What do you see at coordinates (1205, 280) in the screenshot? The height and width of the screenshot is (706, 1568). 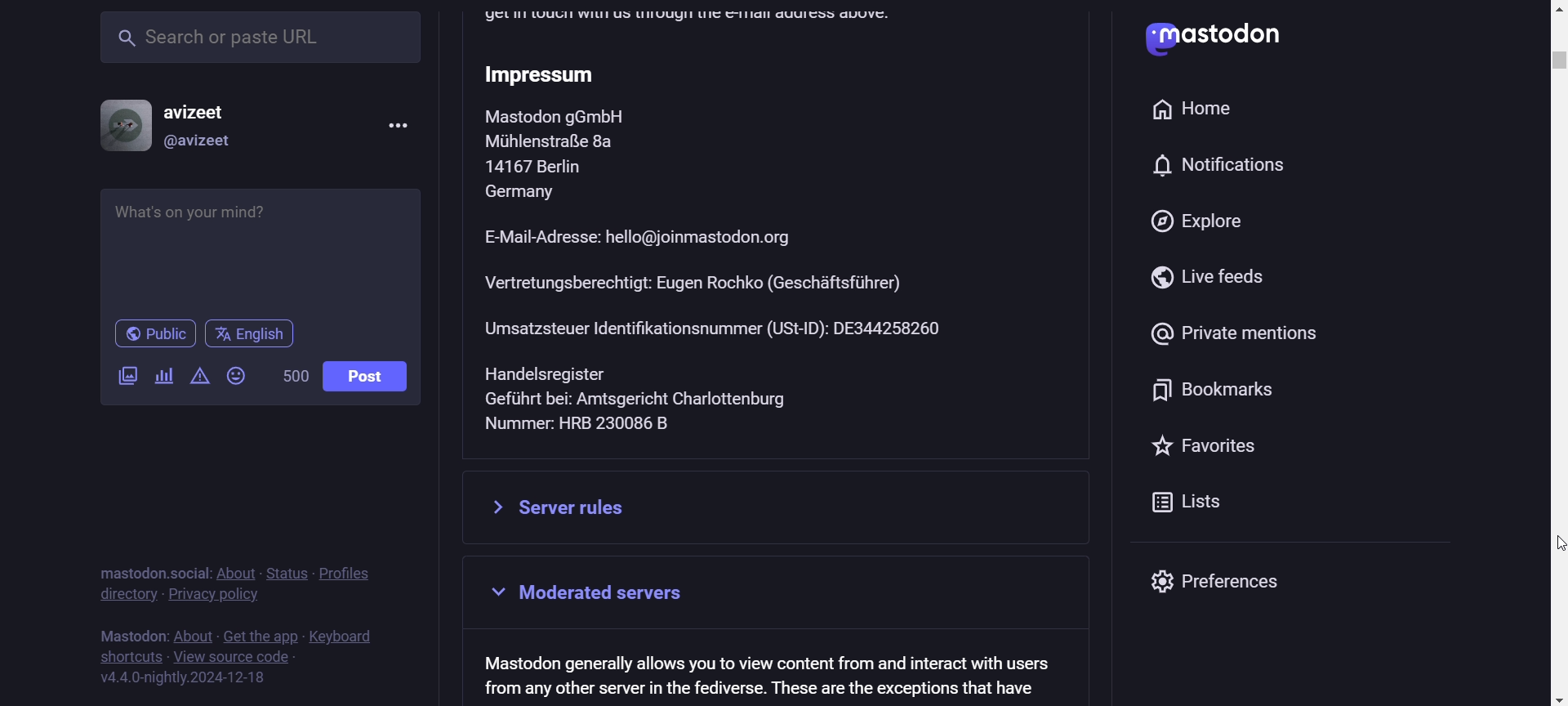 I see `live feeds` at bounding box center [1205, 280].